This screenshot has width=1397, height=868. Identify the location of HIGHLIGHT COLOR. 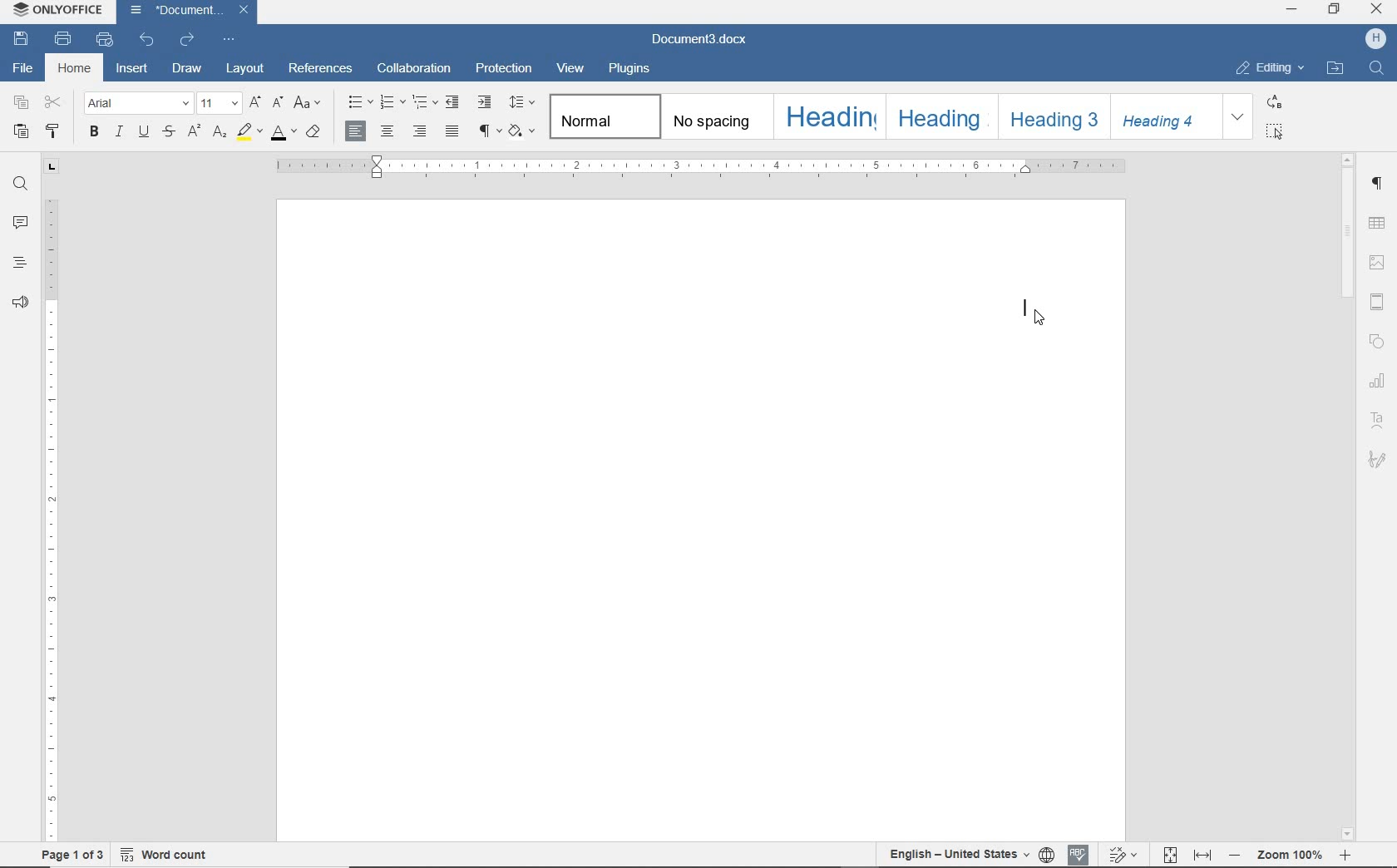
(248, 131).